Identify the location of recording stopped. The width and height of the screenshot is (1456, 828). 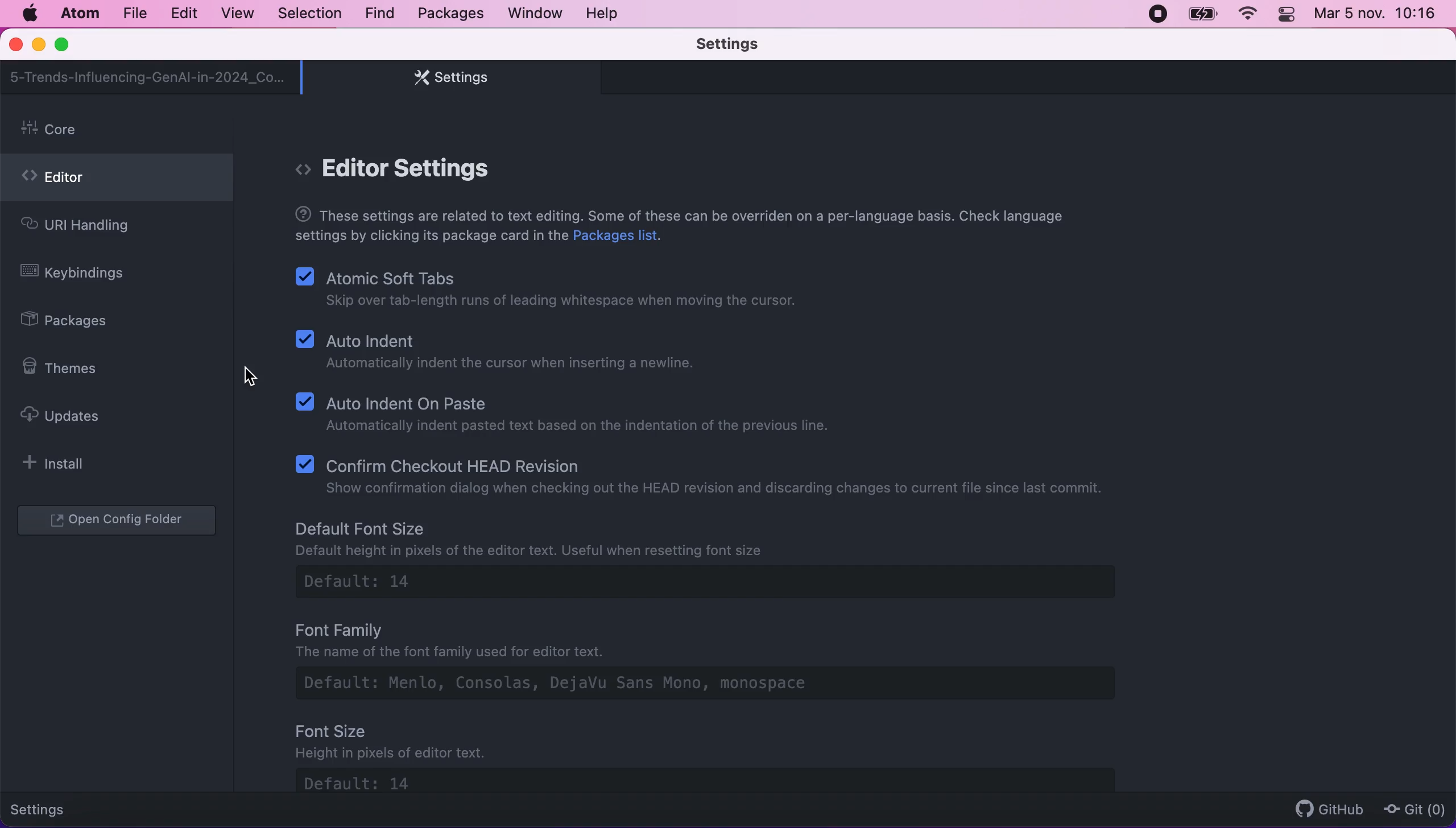
(1156, 13).